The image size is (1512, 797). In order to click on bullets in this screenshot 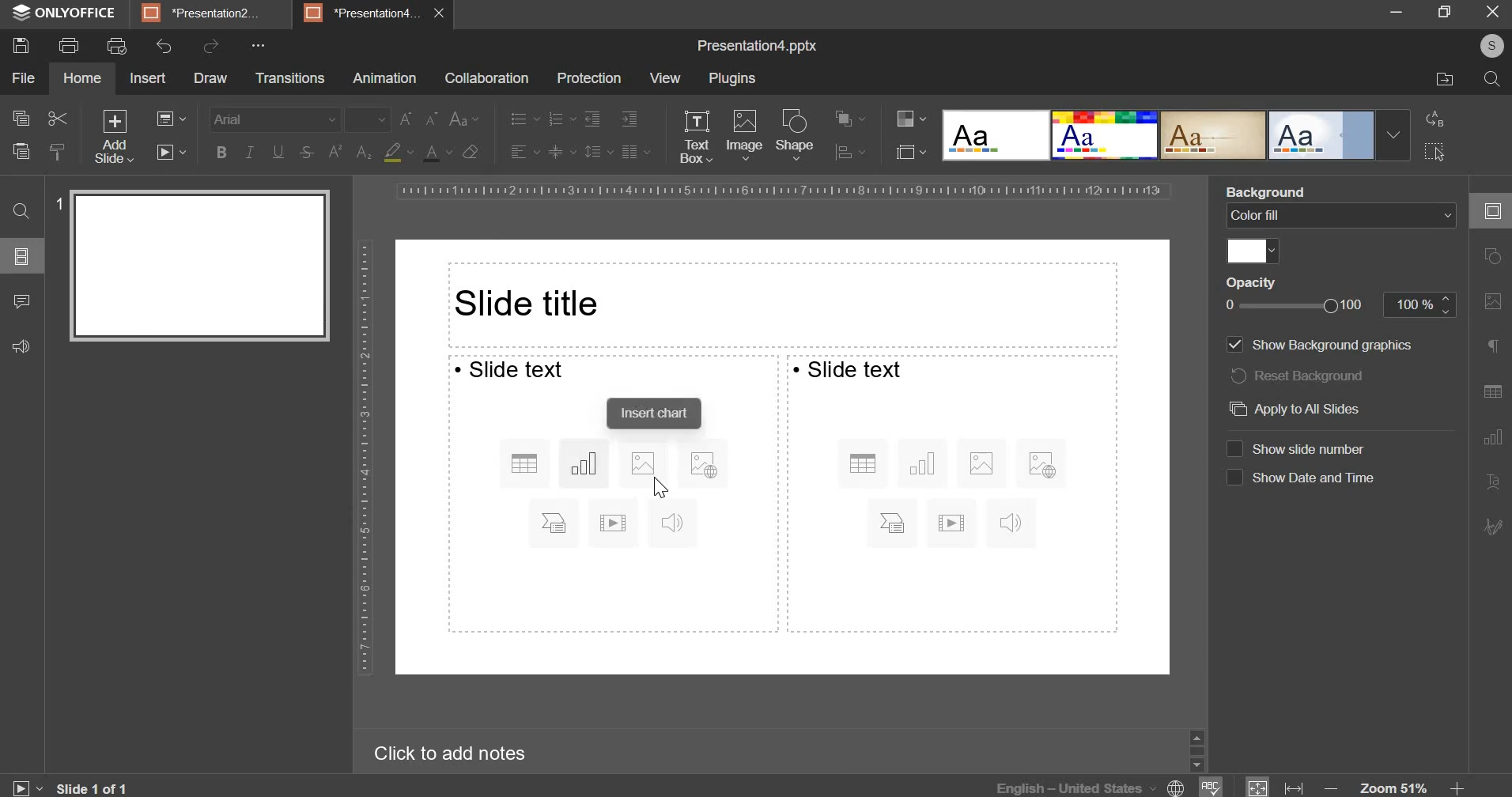, I will do `click(524, 119)`.